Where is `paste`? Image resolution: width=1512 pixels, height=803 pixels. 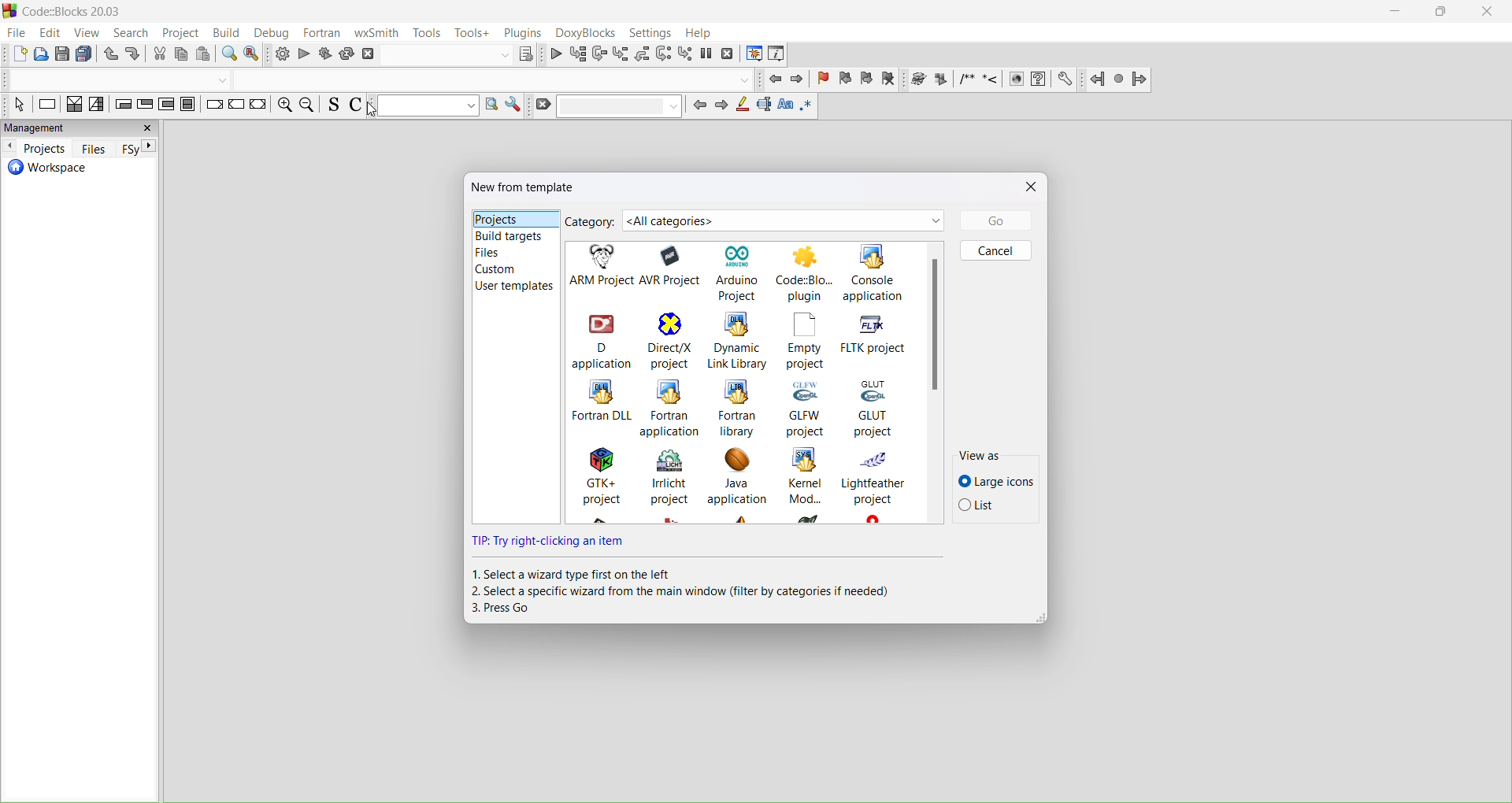
paste is located at coordinates (86, 54).